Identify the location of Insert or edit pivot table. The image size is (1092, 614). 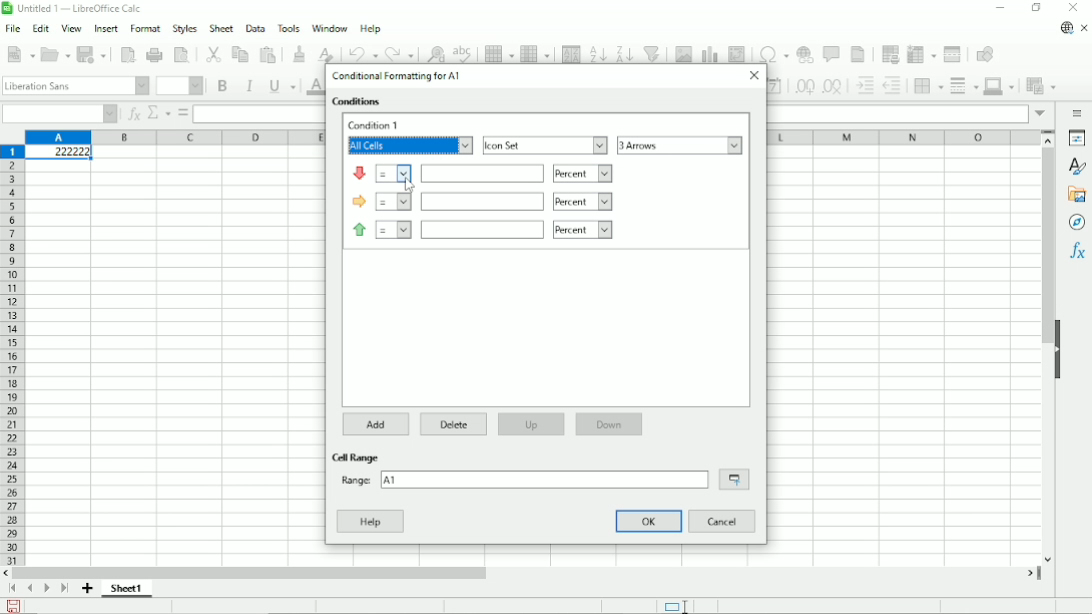
(736, 52).